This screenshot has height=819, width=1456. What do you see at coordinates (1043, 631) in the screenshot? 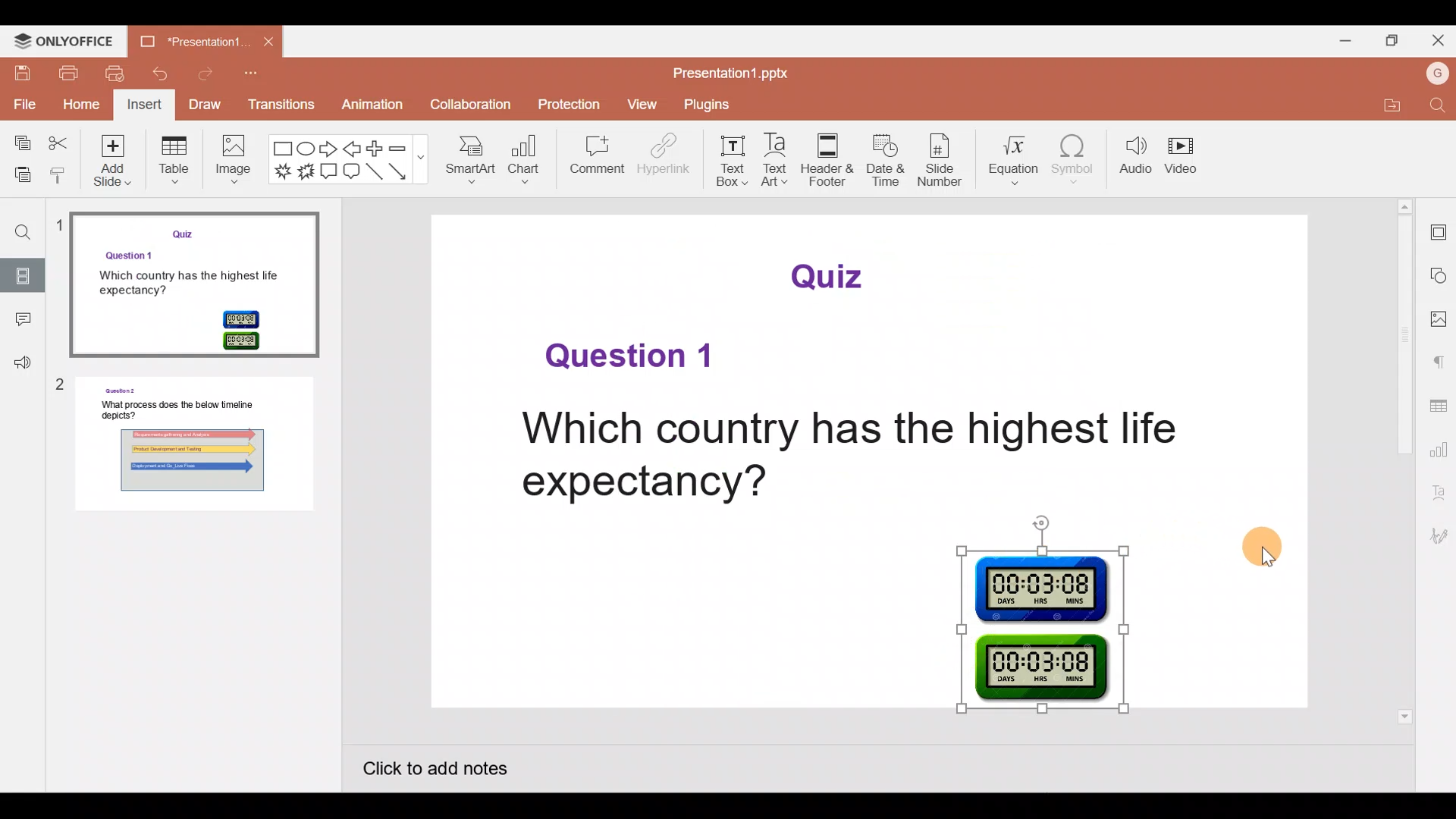
I see `Inserted Timer Graphic` at bounding box center [1043, 631].